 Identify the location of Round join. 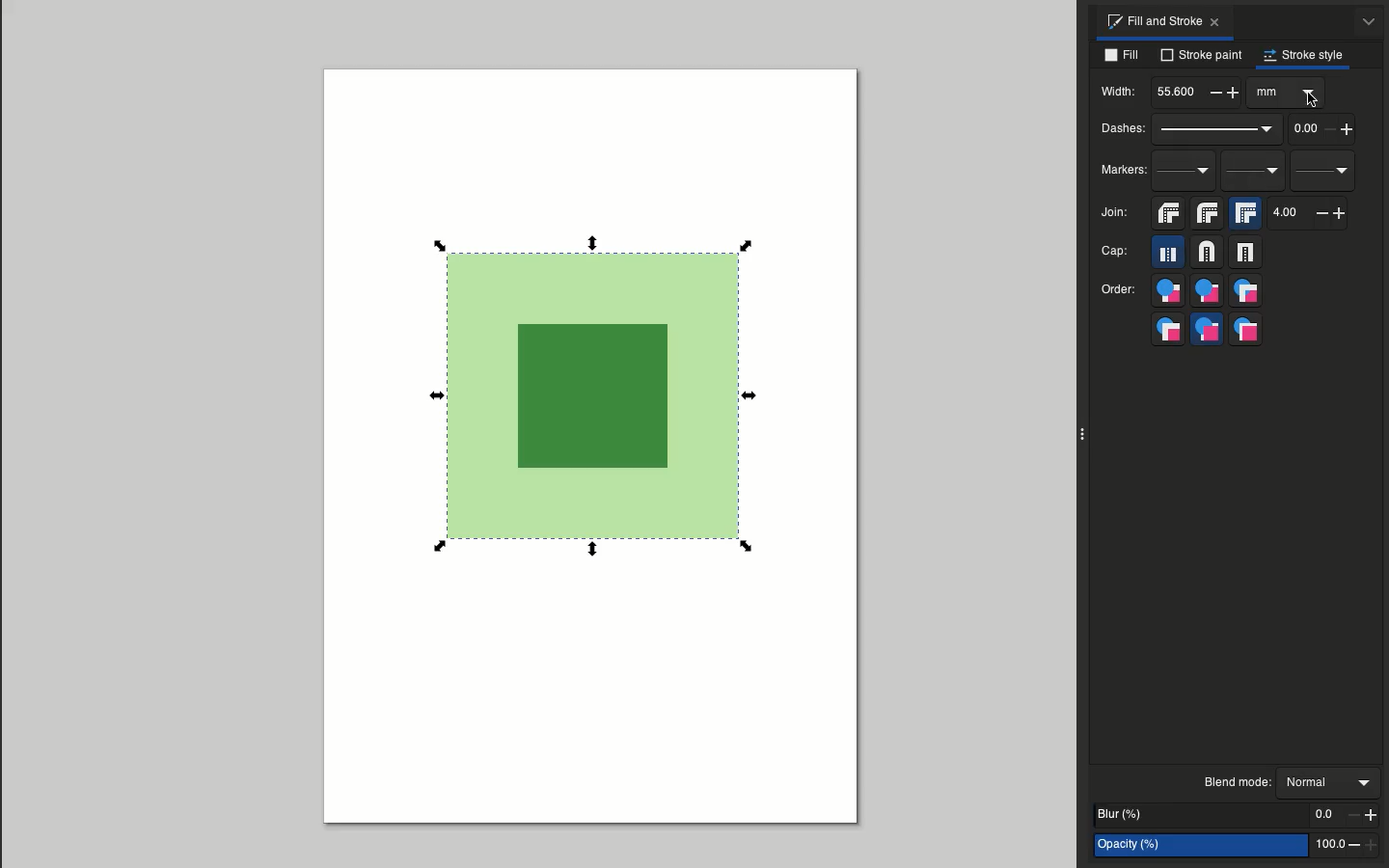
(1210, 214).